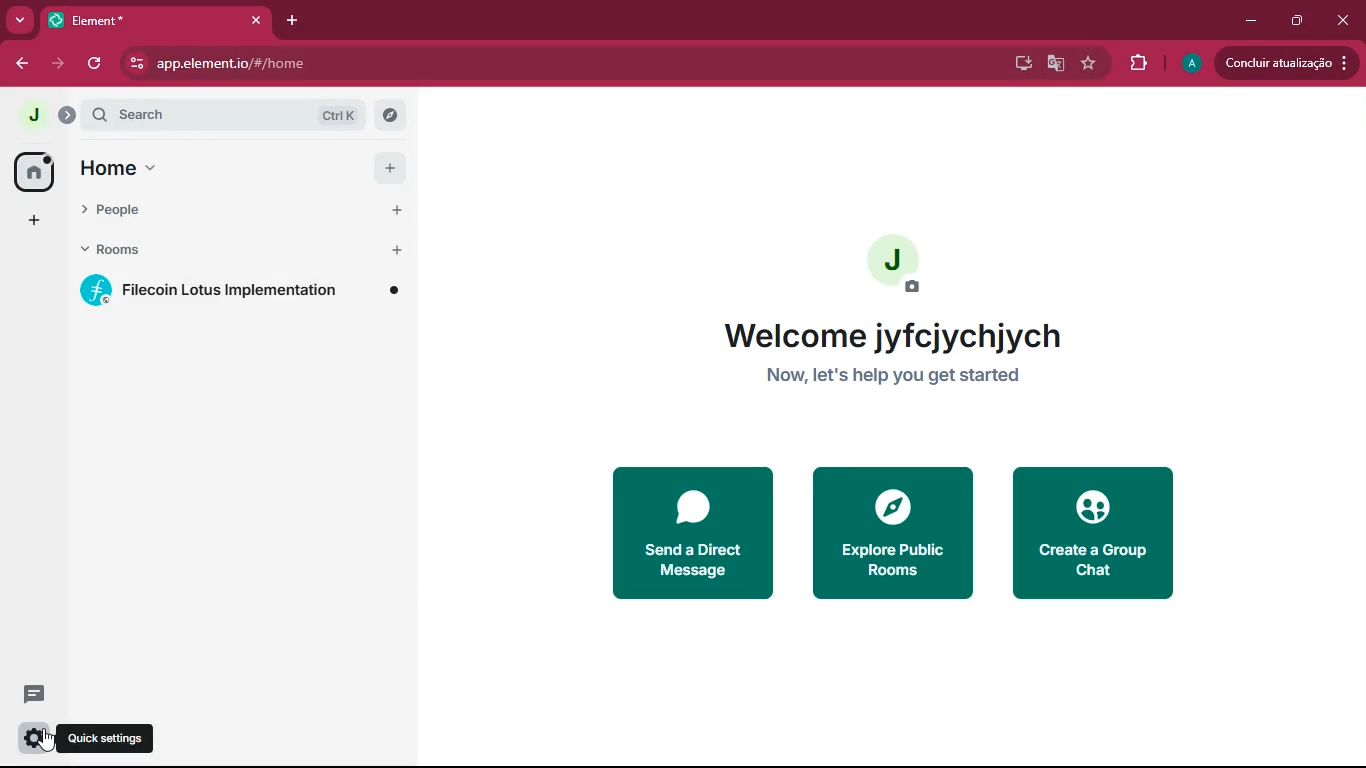  What do you see at coordinates (235, 116) in the screenshot?
I see `search` at bounding box center [235, 116].